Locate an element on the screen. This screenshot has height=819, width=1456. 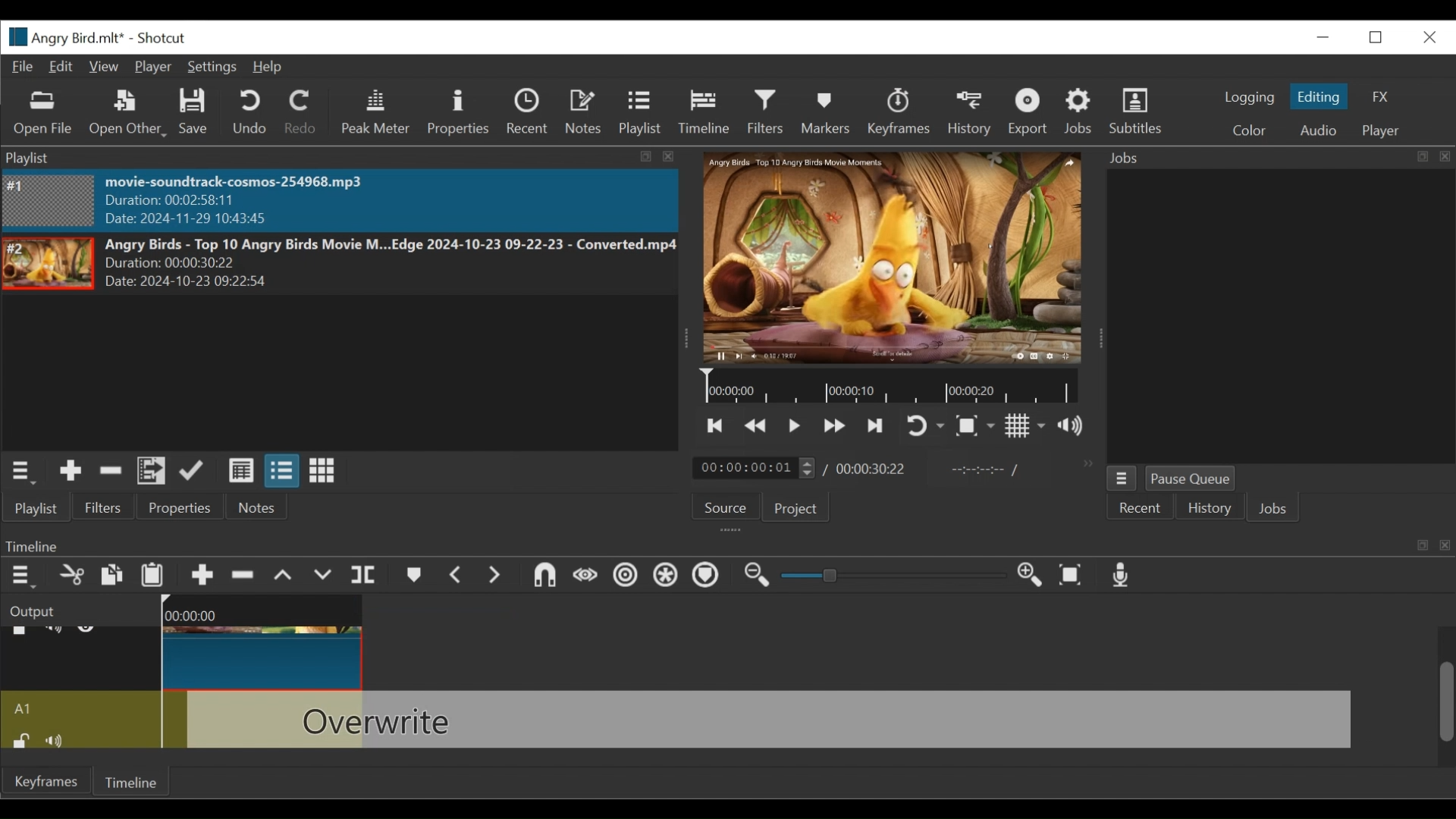
Show volume control is located at coordinates (1075, 428).